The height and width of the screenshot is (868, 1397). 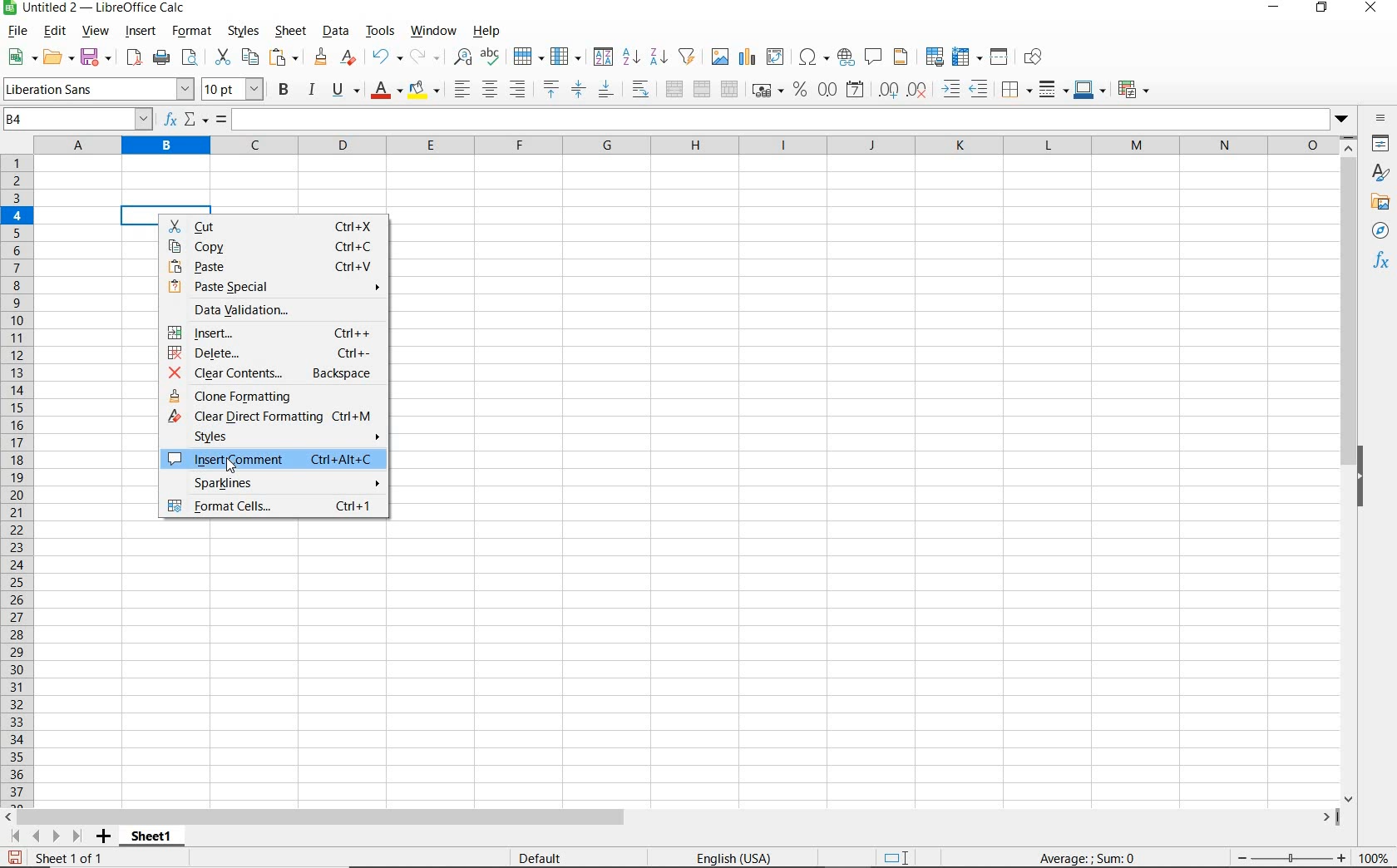 I want to click on open, so click(x=57, y=57).